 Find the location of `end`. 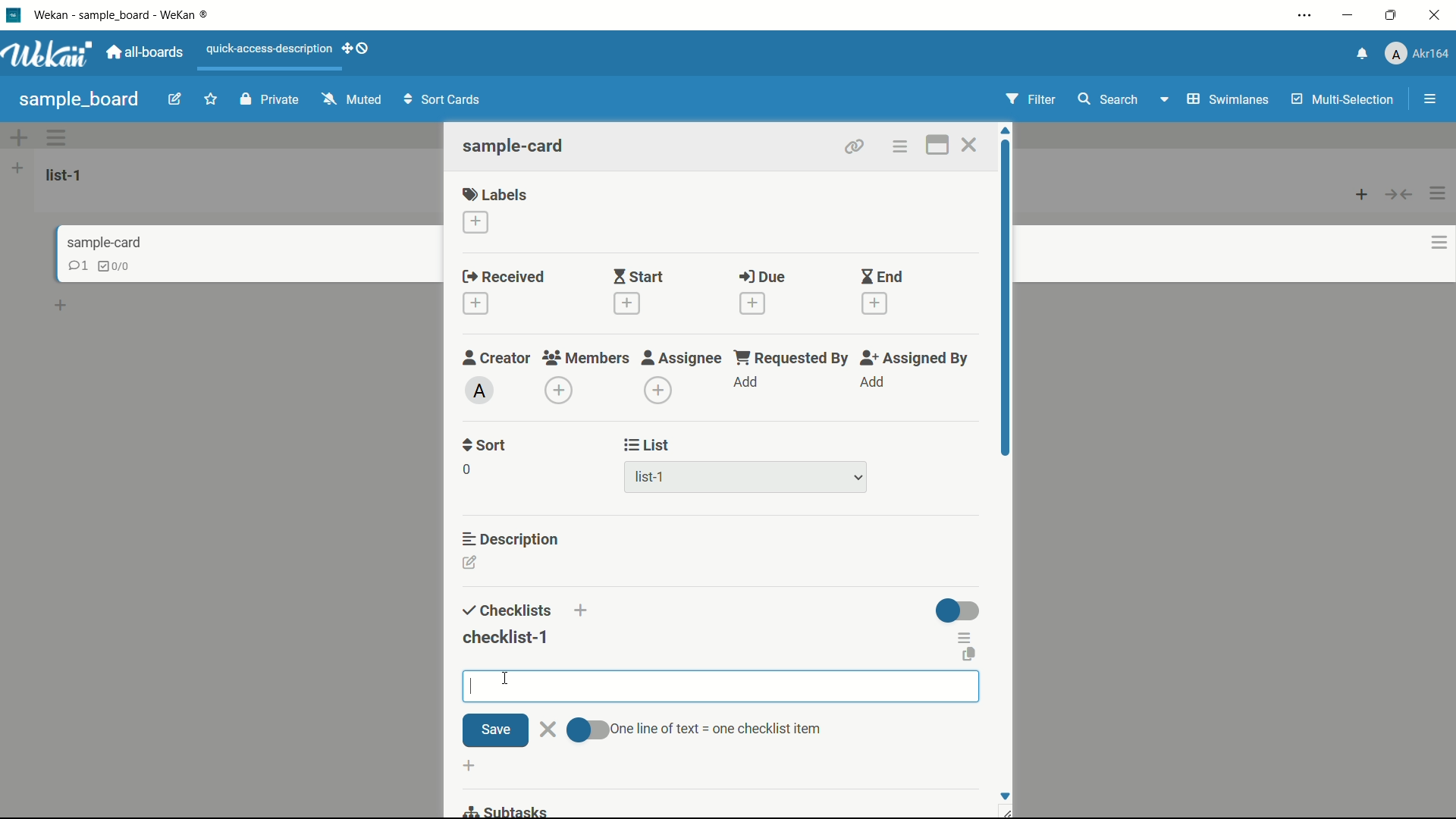

end is located at coordinates (882, 277).